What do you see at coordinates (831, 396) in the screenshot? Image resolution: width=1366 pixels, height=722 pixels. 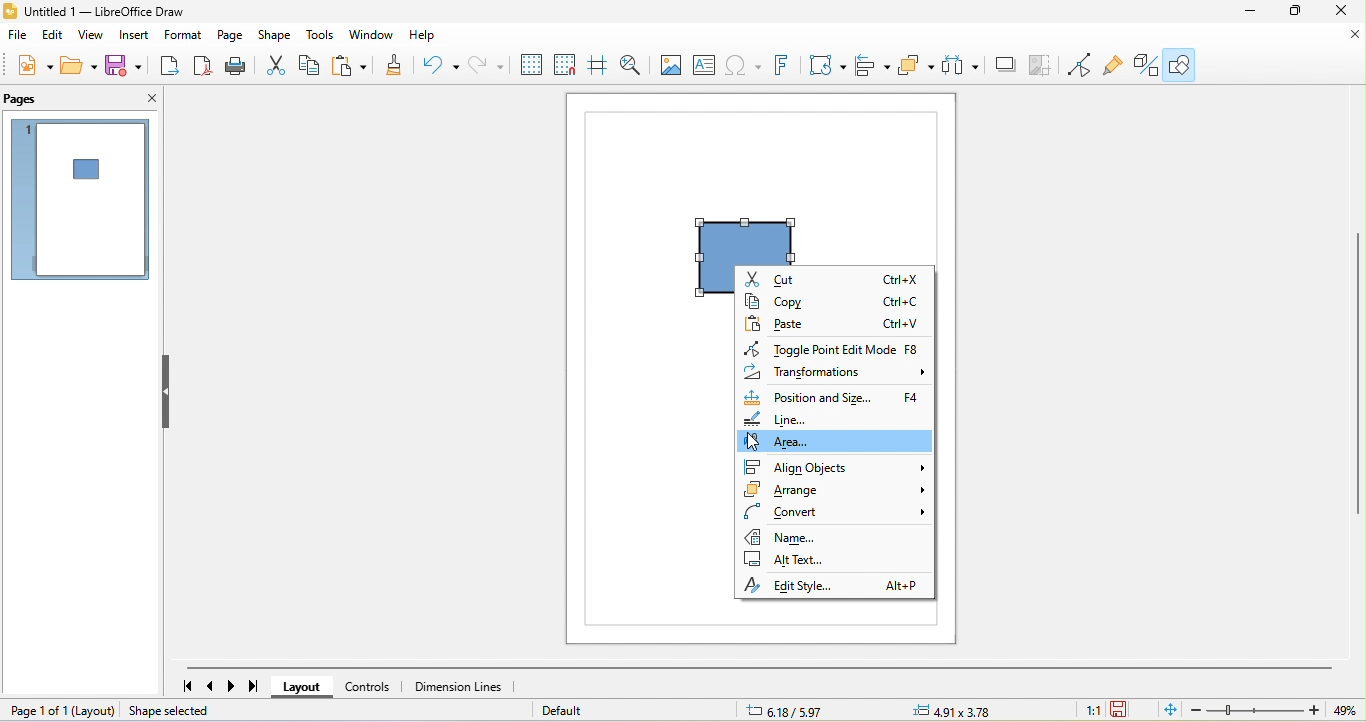 I see `position and size` at bounding box center [831, 396].